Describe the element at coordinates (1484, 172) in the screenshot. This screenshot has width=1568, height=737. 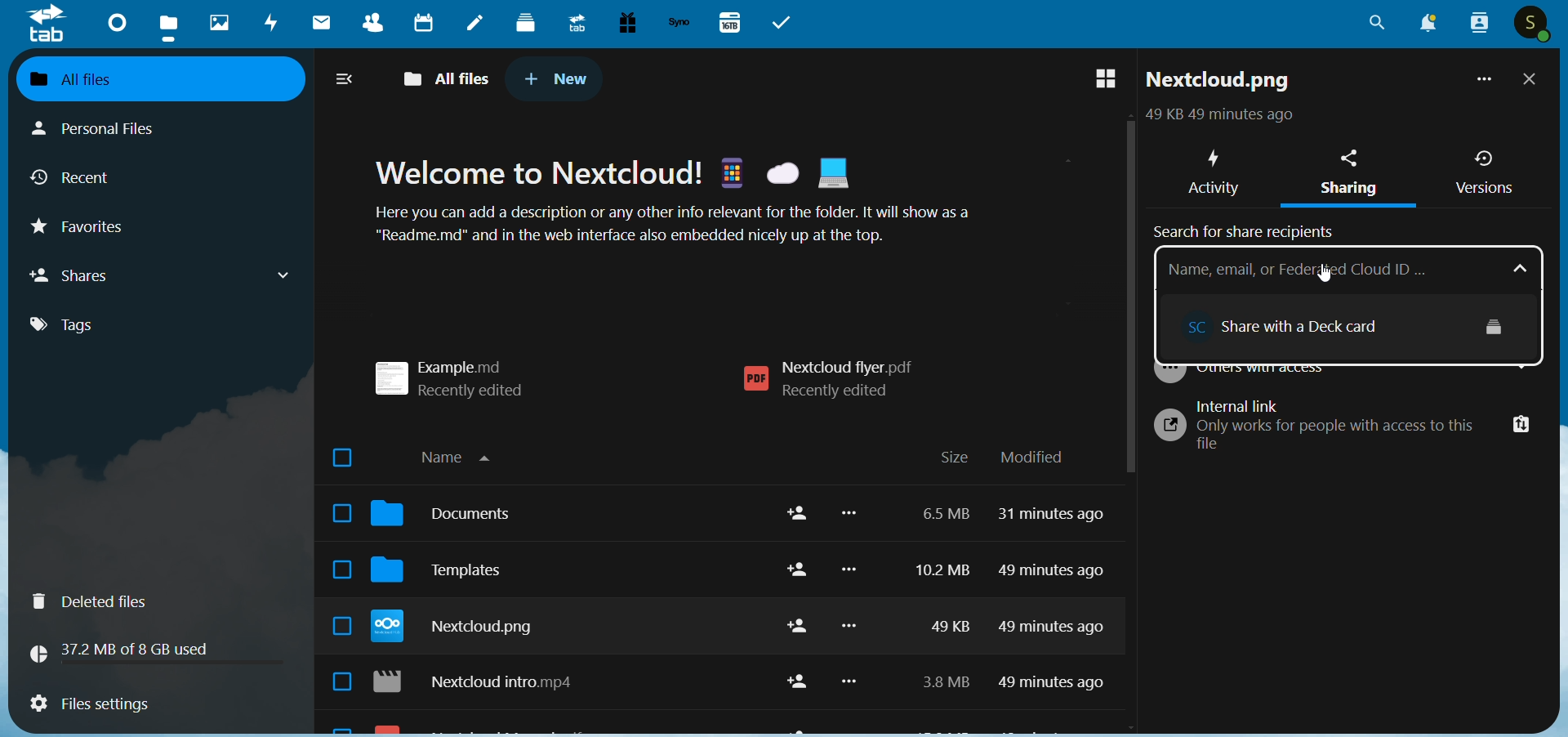
I see `versions` at that location.